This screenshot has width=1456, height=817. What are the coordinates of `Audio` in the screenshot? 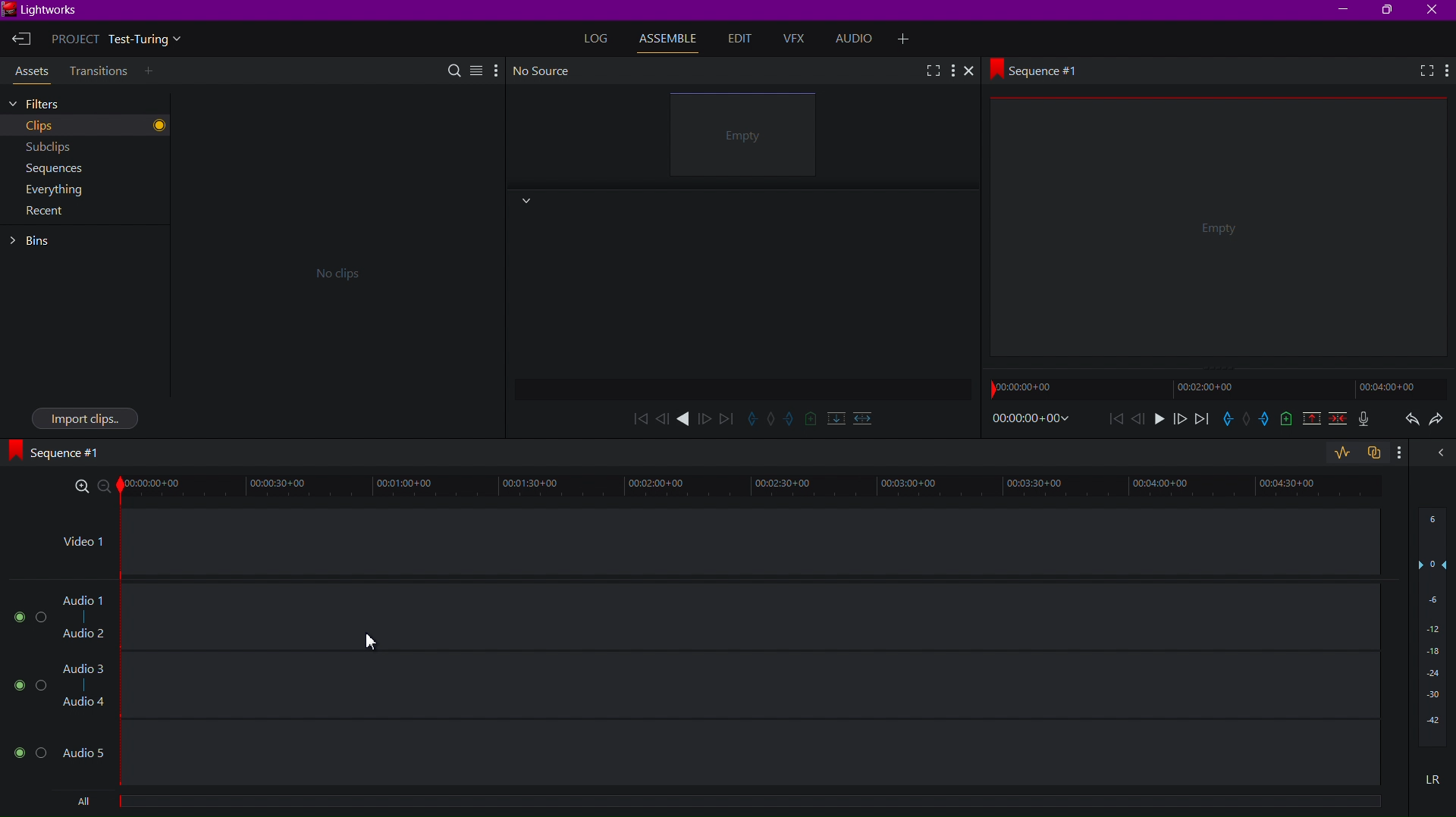 It's located at (859, 39).